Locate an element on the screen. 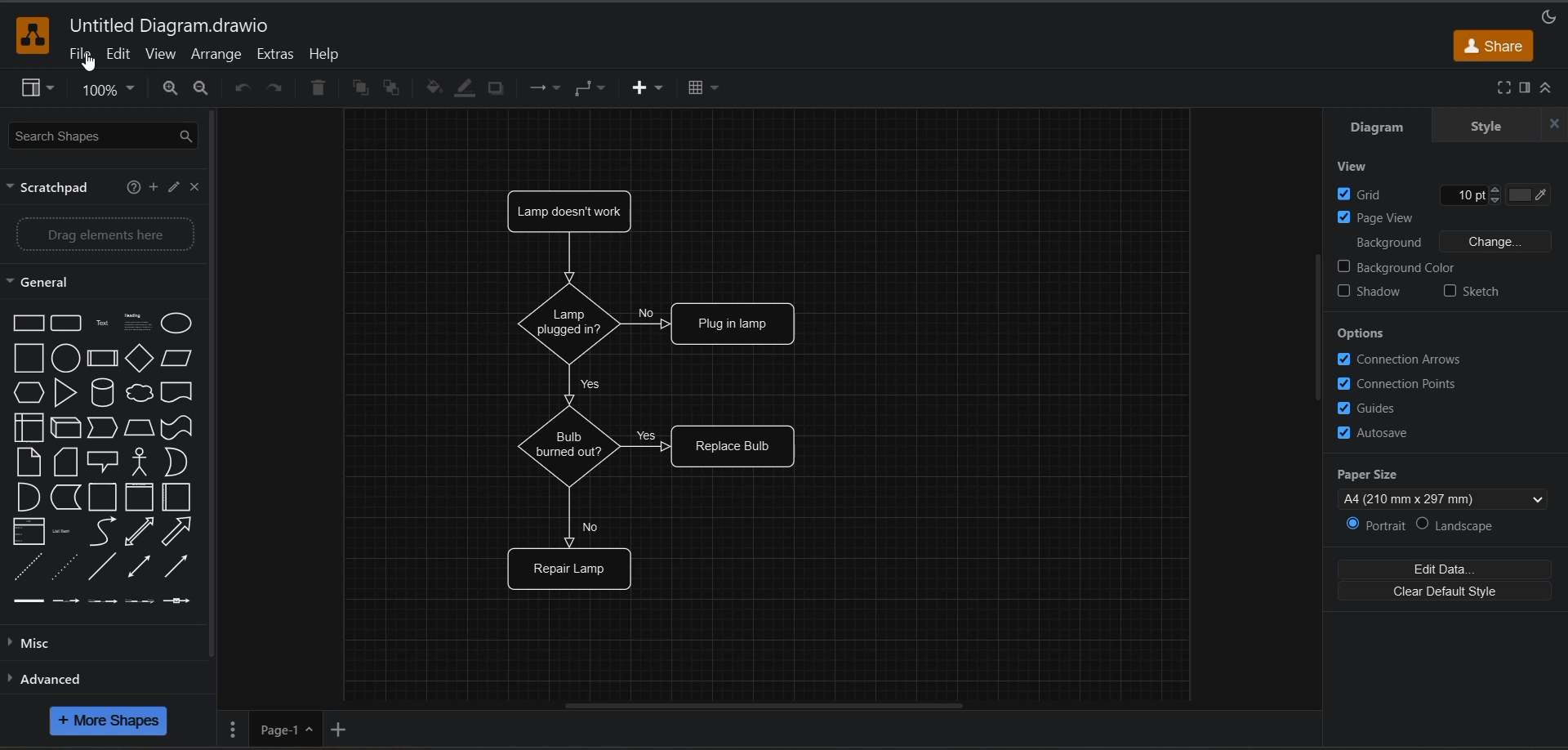  connection arrows is located at coordinates (1416, 357).